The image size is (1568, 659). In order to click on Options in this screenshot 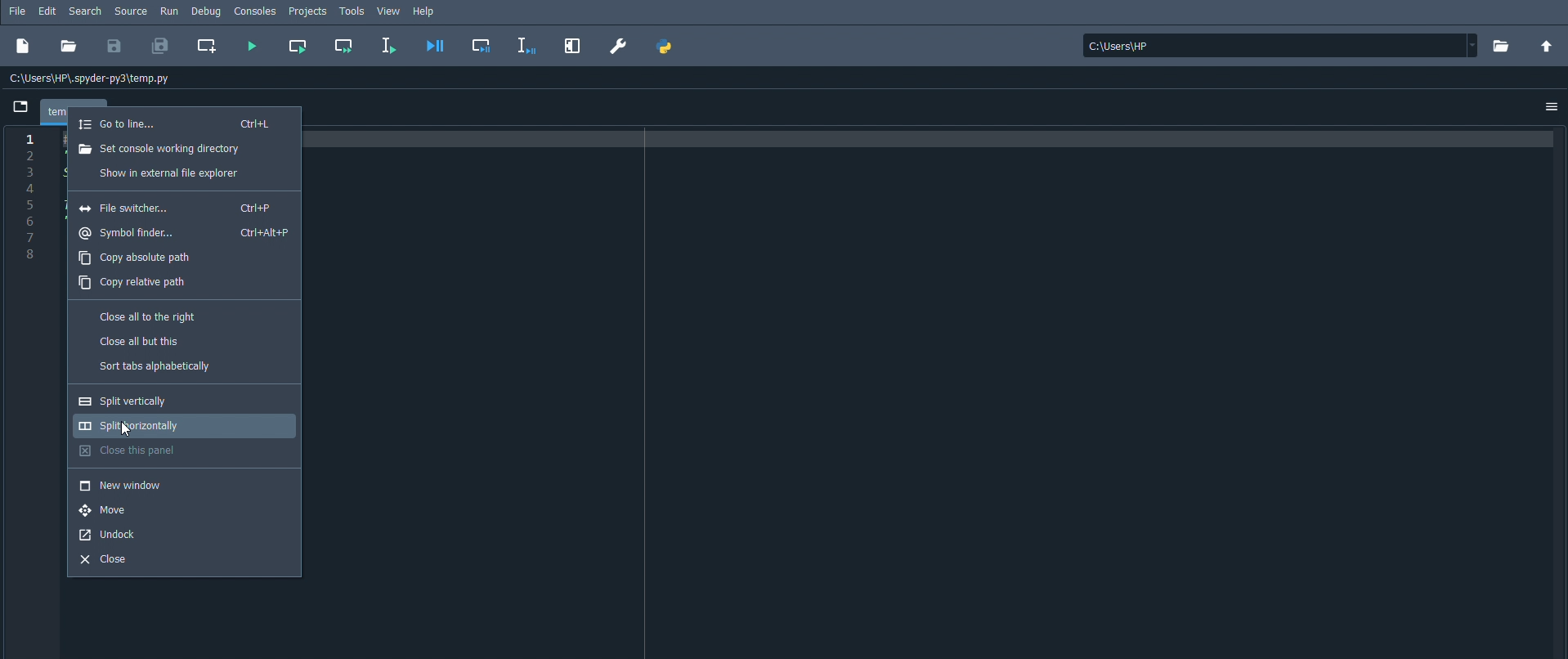, I will do `click(1550, 107)`.